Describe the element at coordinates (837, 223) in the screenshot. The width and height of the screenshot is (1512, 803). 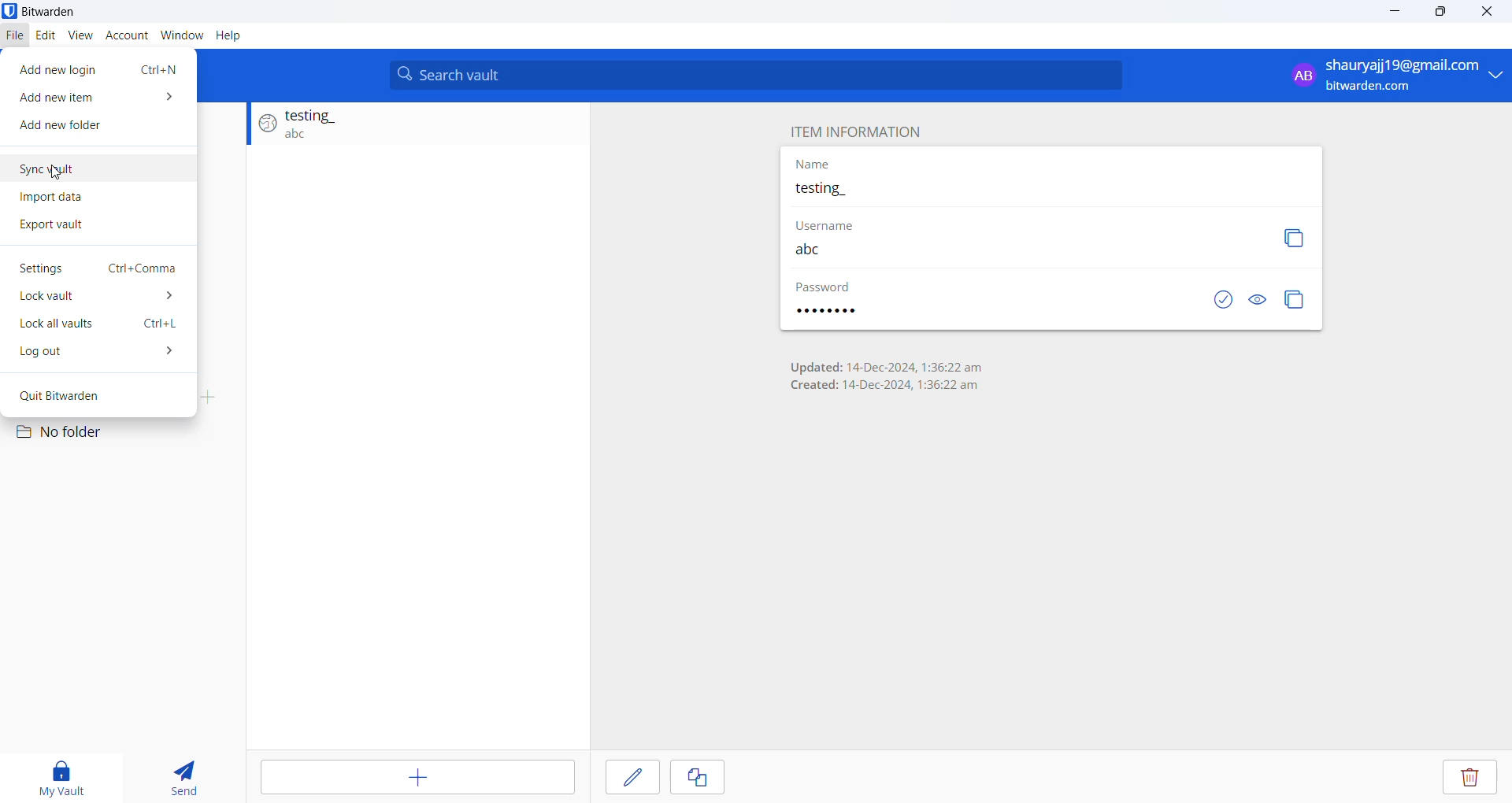
I see `Username heading` at that location.